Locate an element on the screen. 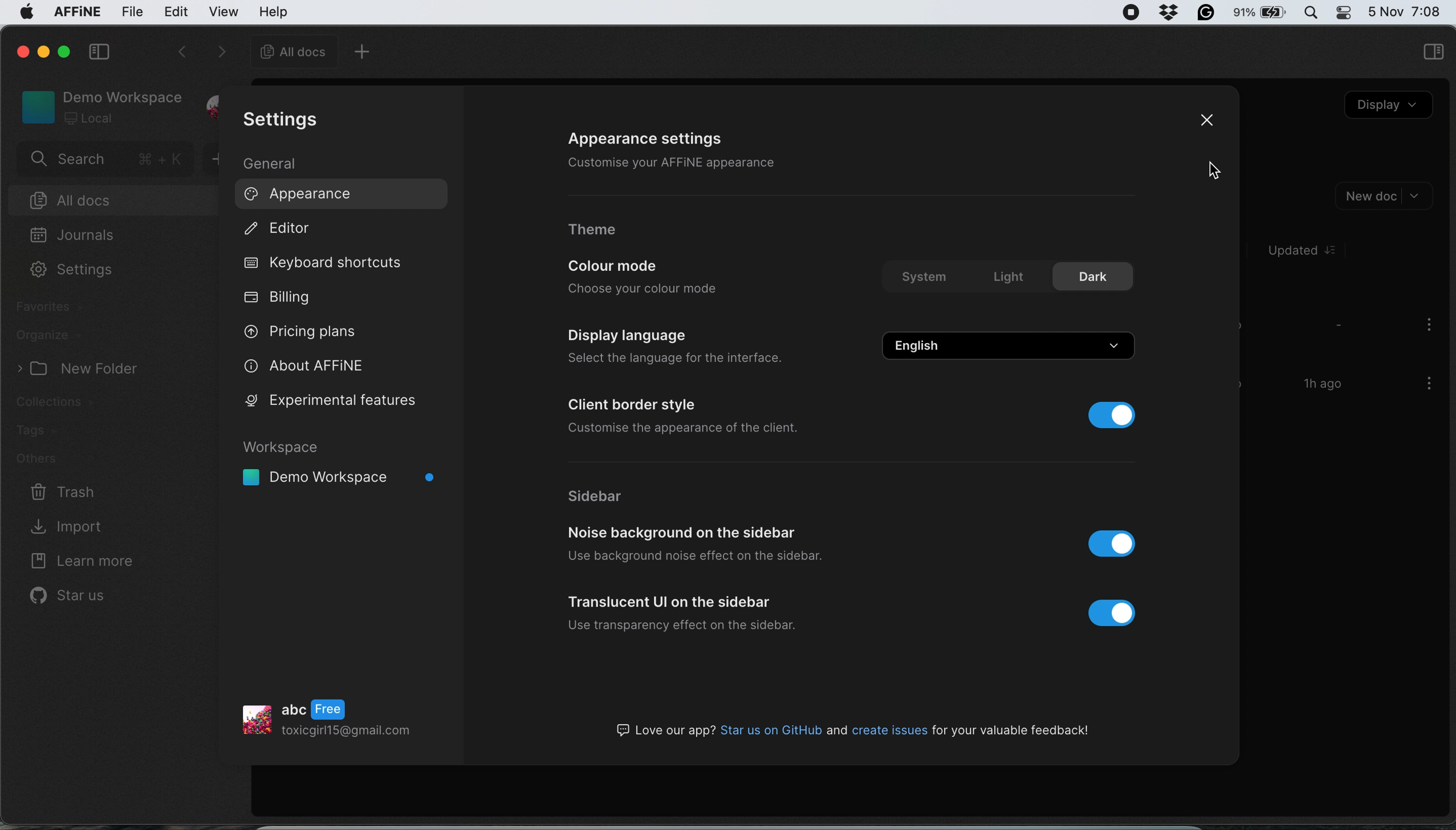 This screenshot has width=1456, height=830. star us is located at coordinates (66, 599).